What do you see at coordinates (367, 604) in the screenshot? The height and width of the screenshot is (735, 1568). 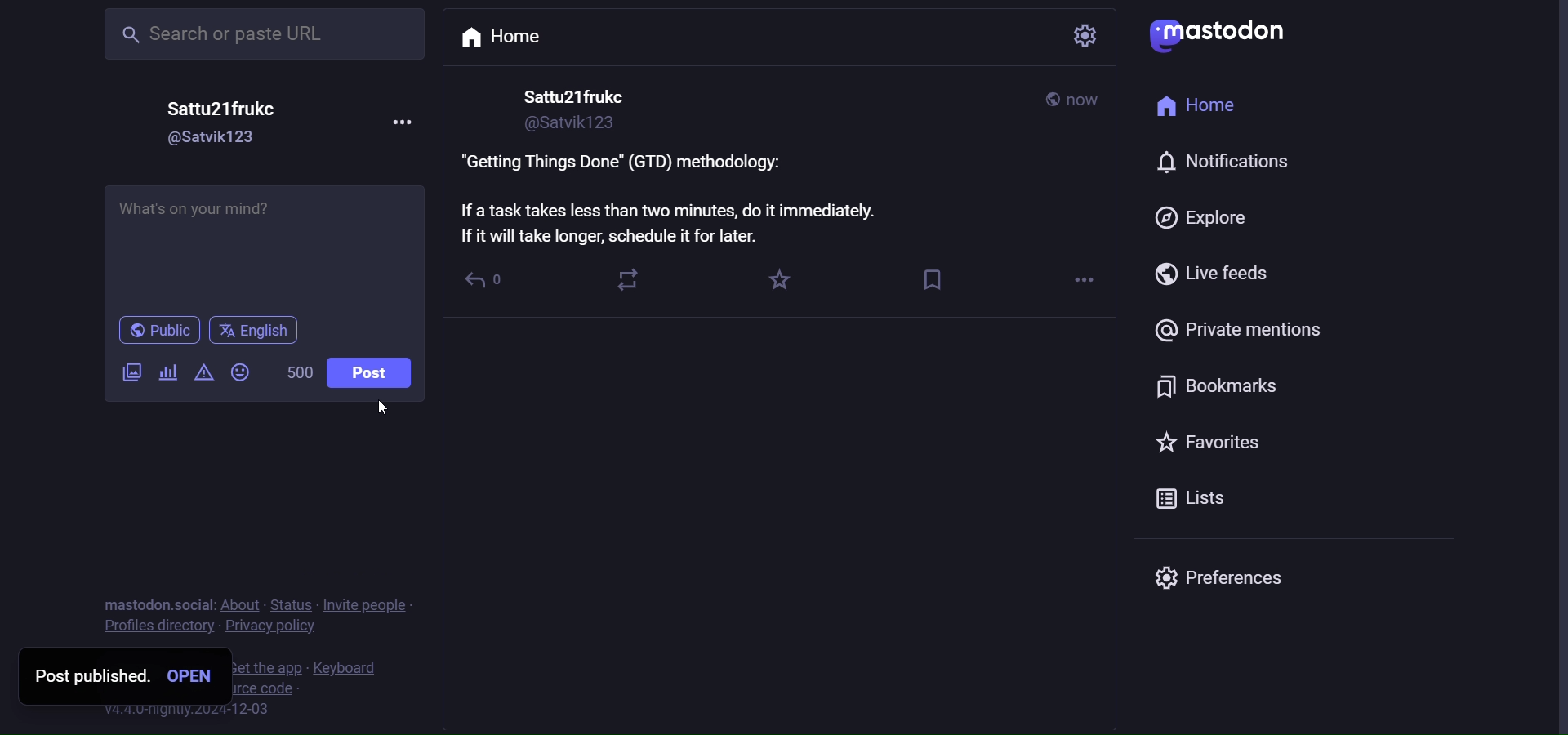 I see `invite people` at bounding box center [367, 604].